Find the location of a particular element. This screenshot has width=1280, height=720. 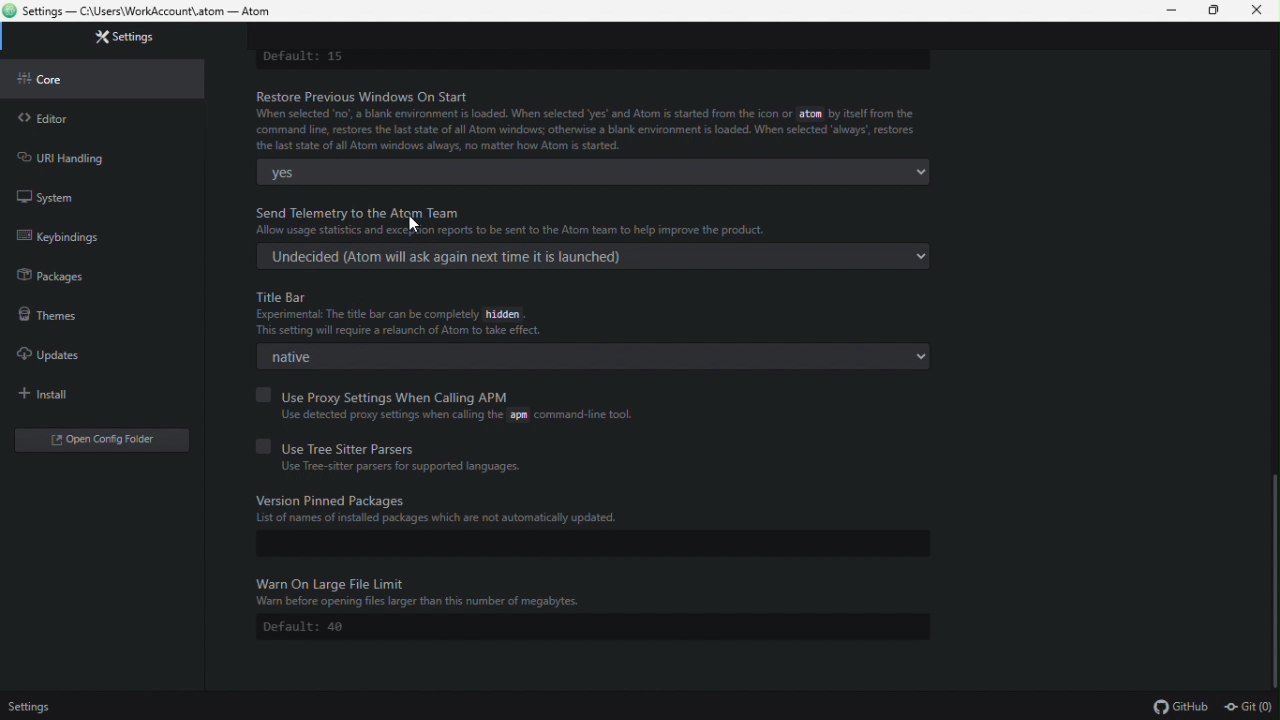

cursor is located at coordinates (416, 222).